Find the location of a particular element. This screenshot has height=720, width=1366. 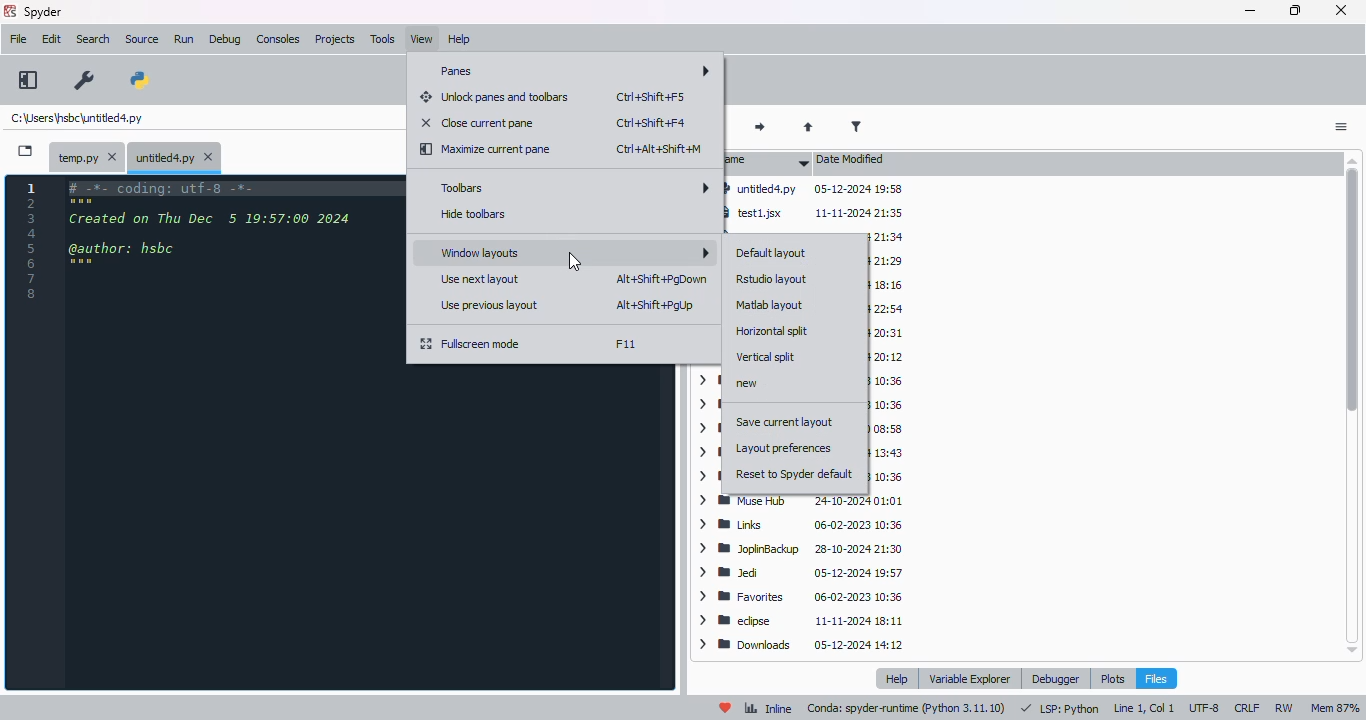

PYTHONPATH MANAGER is located at coordinates (140, 82).